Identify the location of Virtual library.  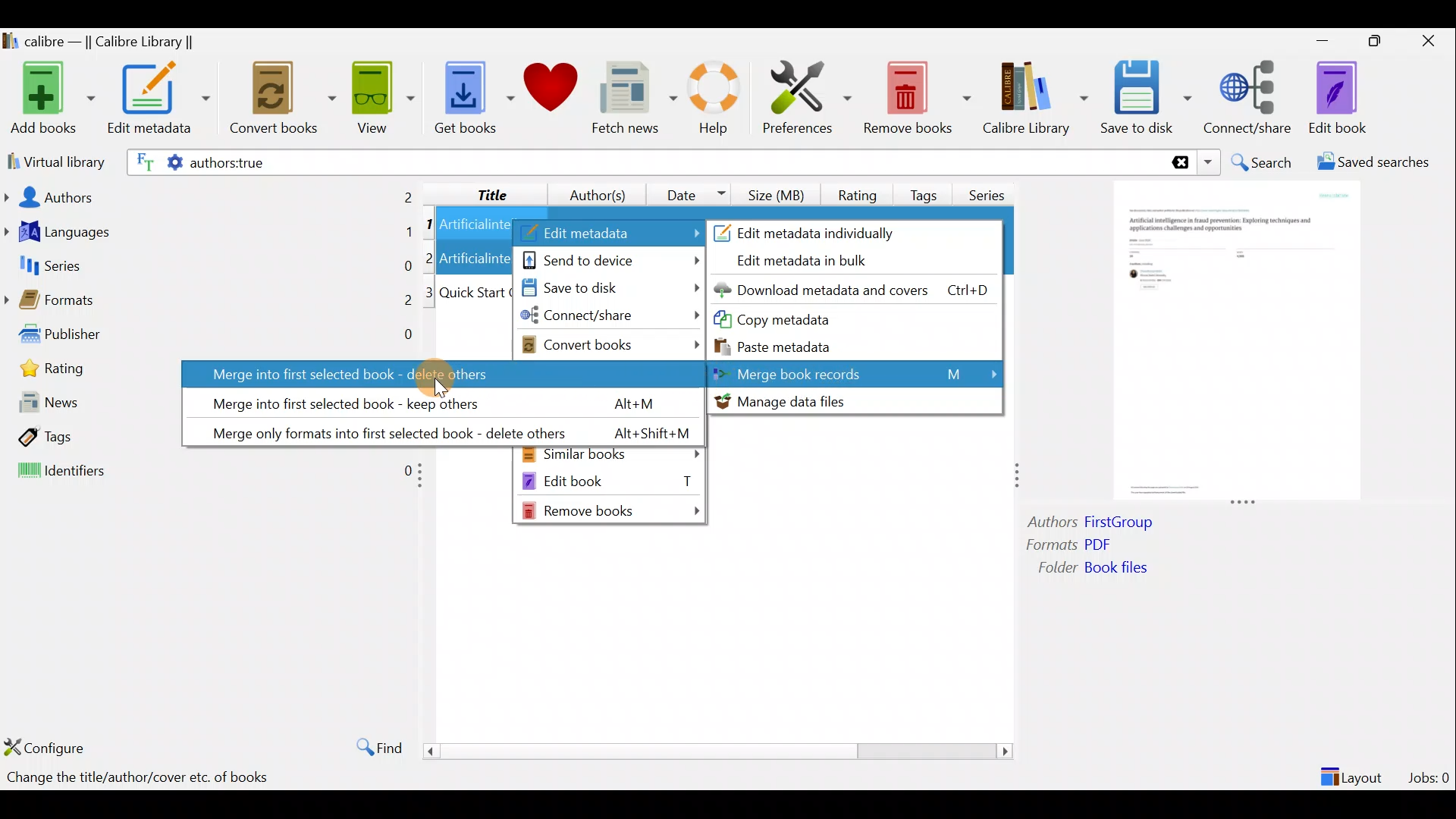
(53, 160).